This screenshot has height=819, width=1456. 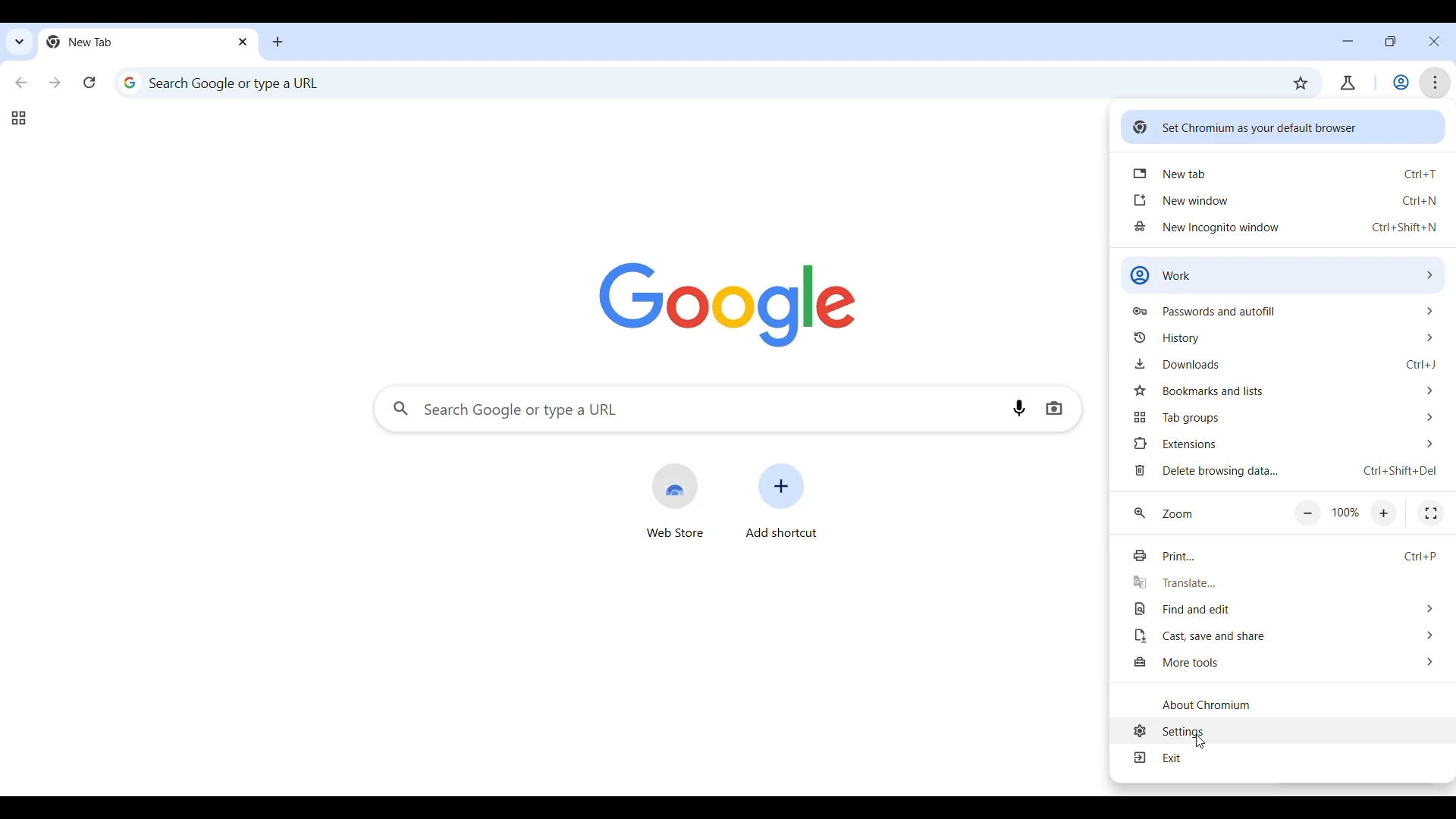 I want to click on Current/Default zoom factor, so click(x=1345, y=513).